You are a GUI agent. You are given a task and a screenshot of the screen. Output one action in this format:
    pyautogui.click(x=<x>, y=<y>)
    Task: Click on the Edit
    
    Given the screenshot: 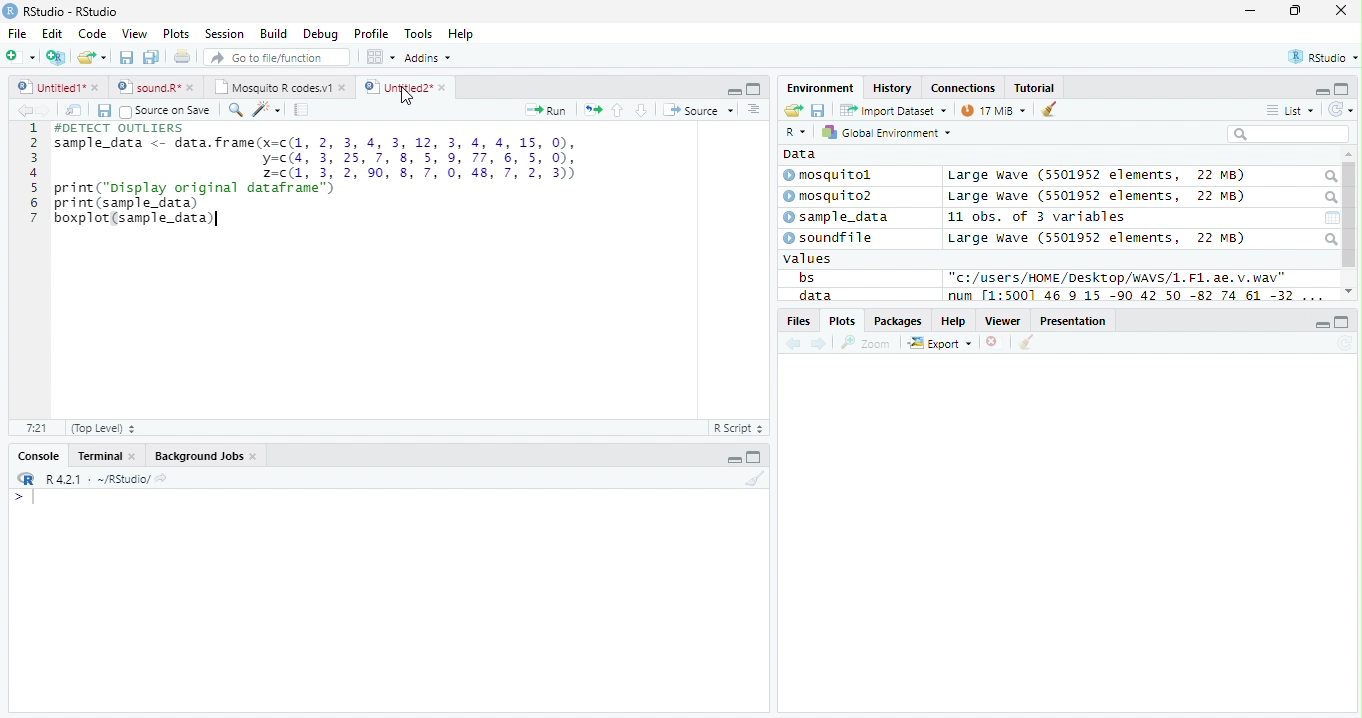 What is the action you would take?
    pyautogui.click(x=53, y=34)
    